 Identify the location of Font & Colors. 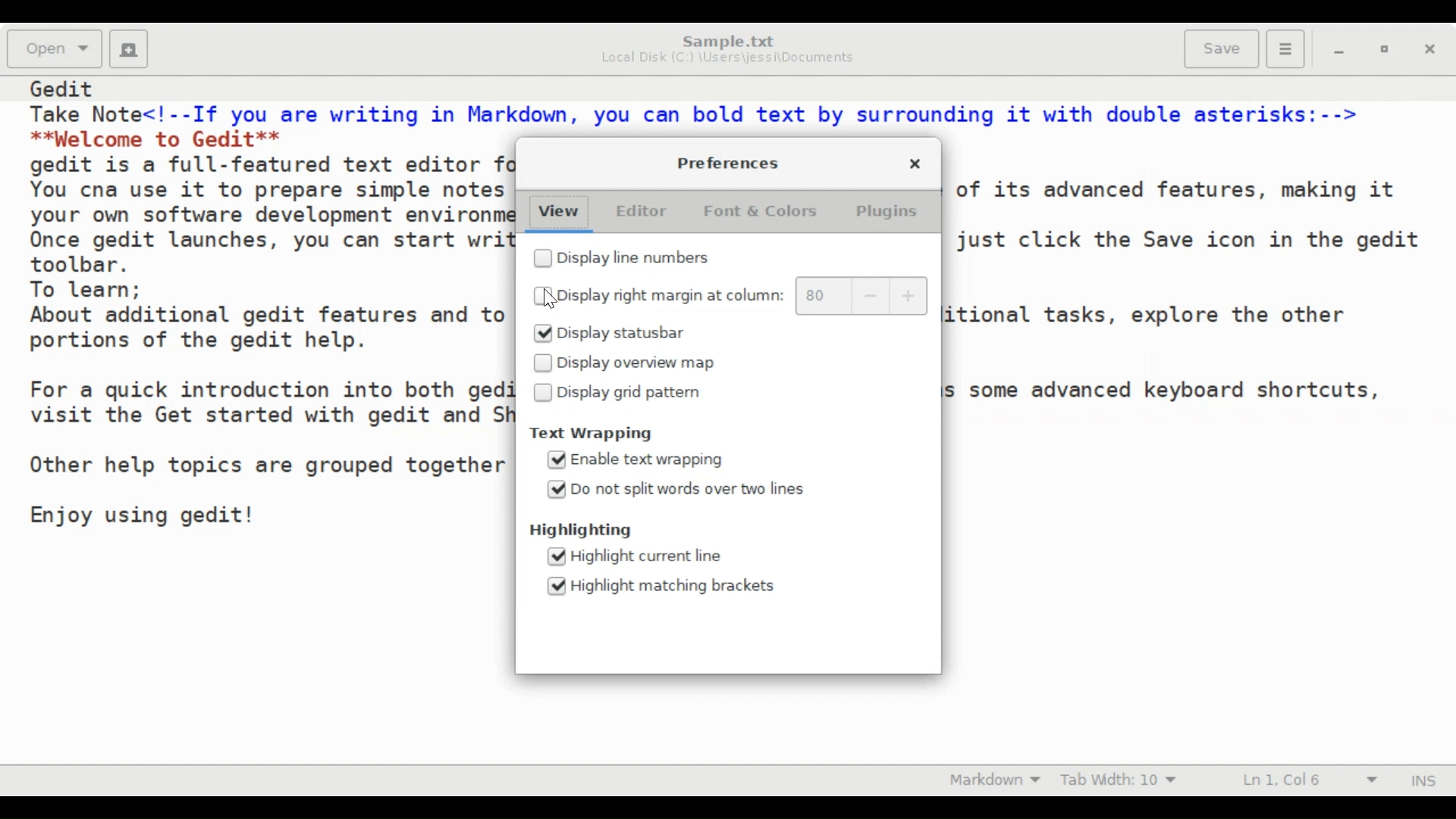
(767, 211).